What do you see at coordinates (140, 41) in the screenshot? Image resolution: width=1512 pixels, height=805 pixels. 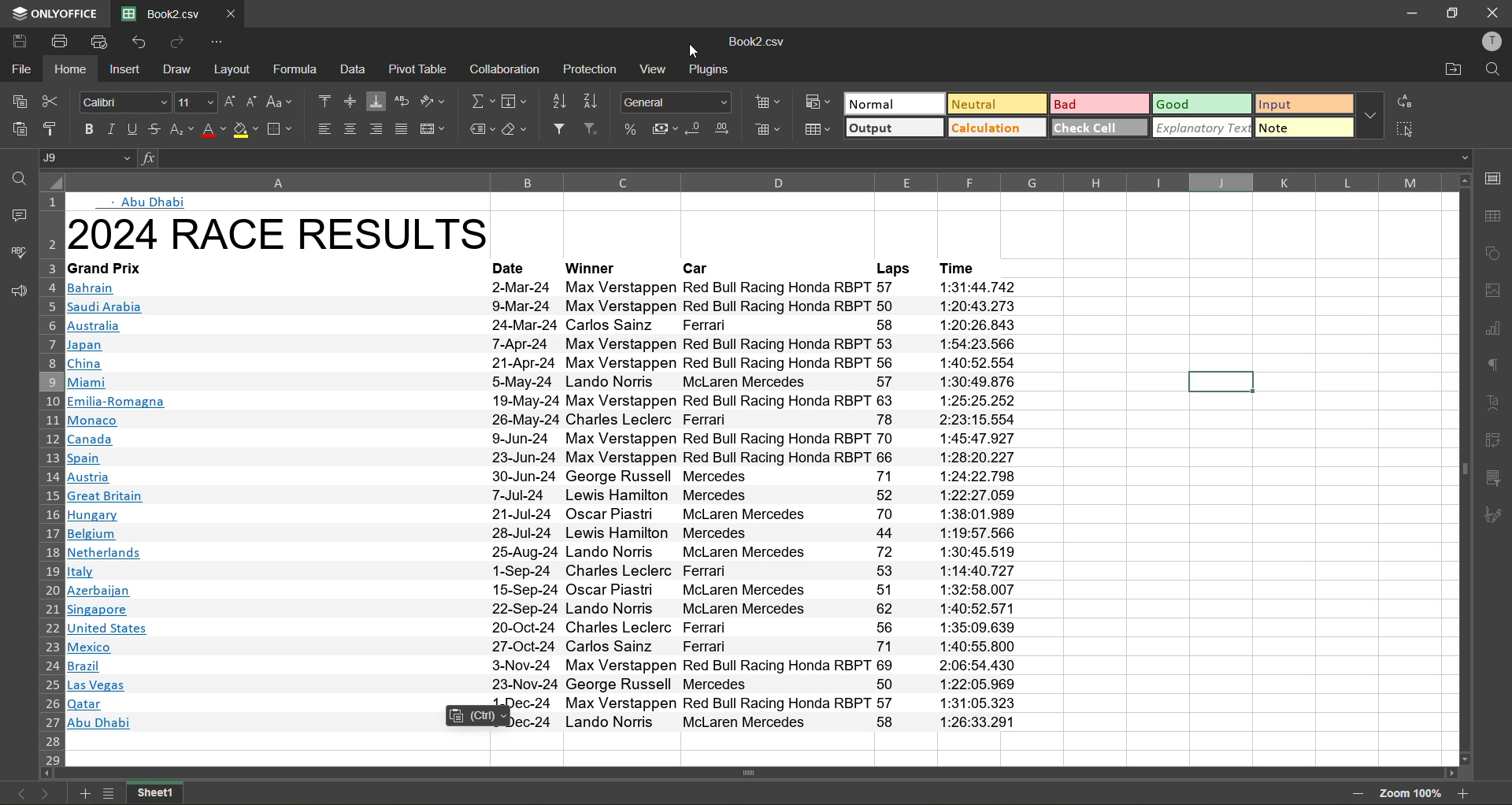 I see `undo` at bounding box center [140, 41].